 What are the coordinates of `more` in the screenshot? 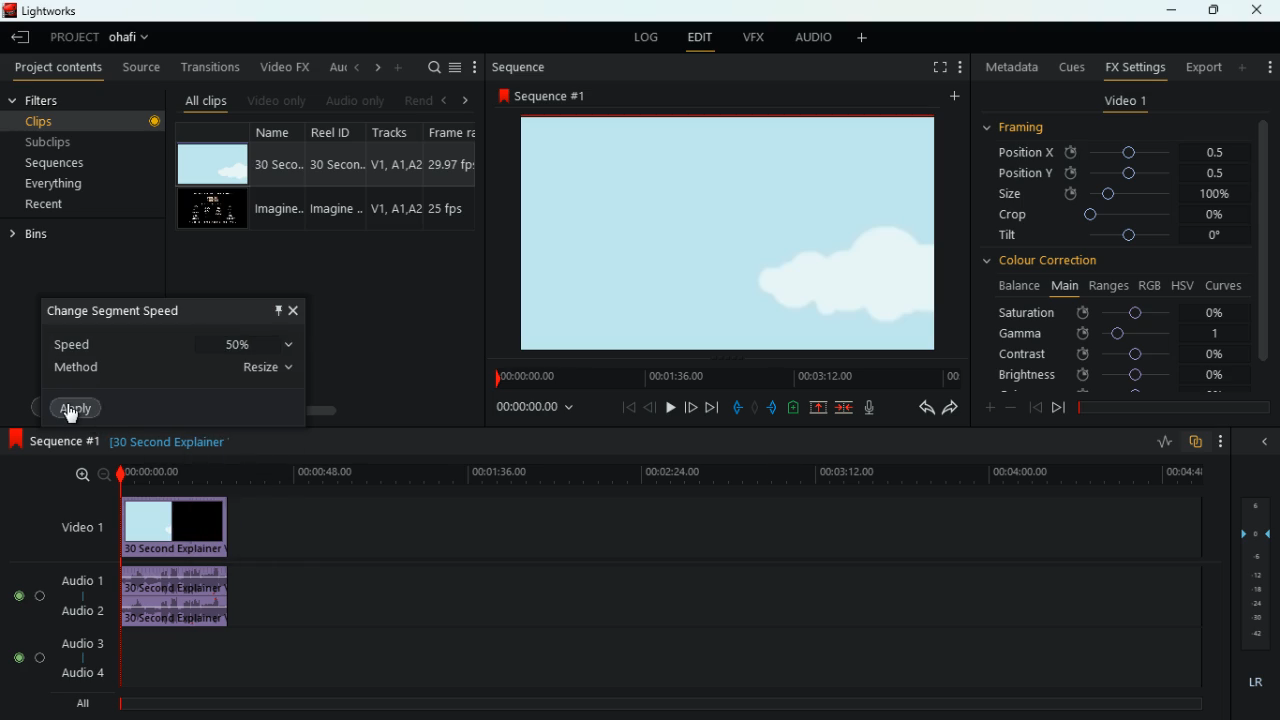 It's located at (960, 67).